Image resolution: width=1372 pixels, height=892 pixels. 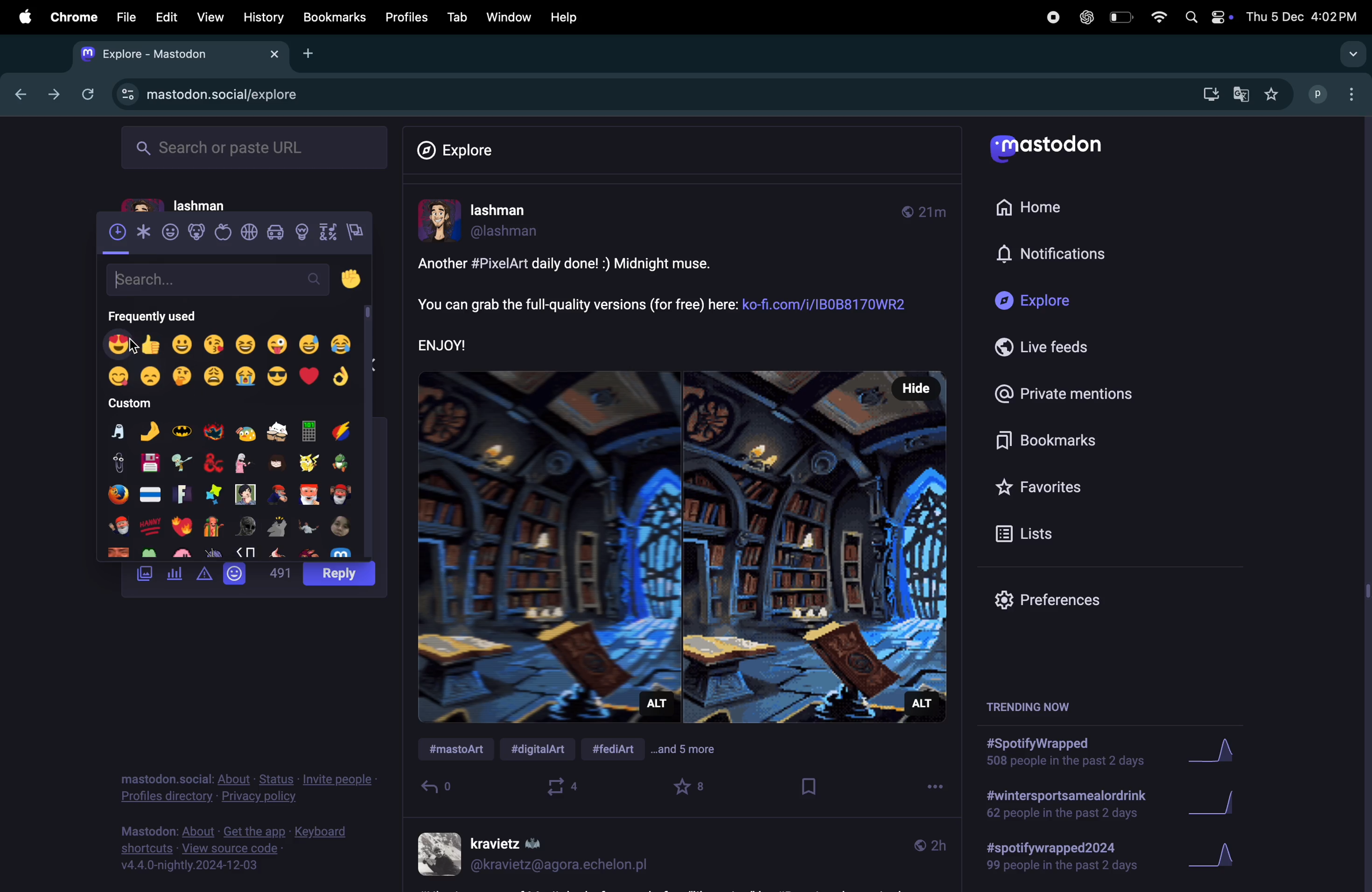 What do you see at coordinates (912, 388) in the screenshot?
I see `Hide button` at bounding box center [912, 388].